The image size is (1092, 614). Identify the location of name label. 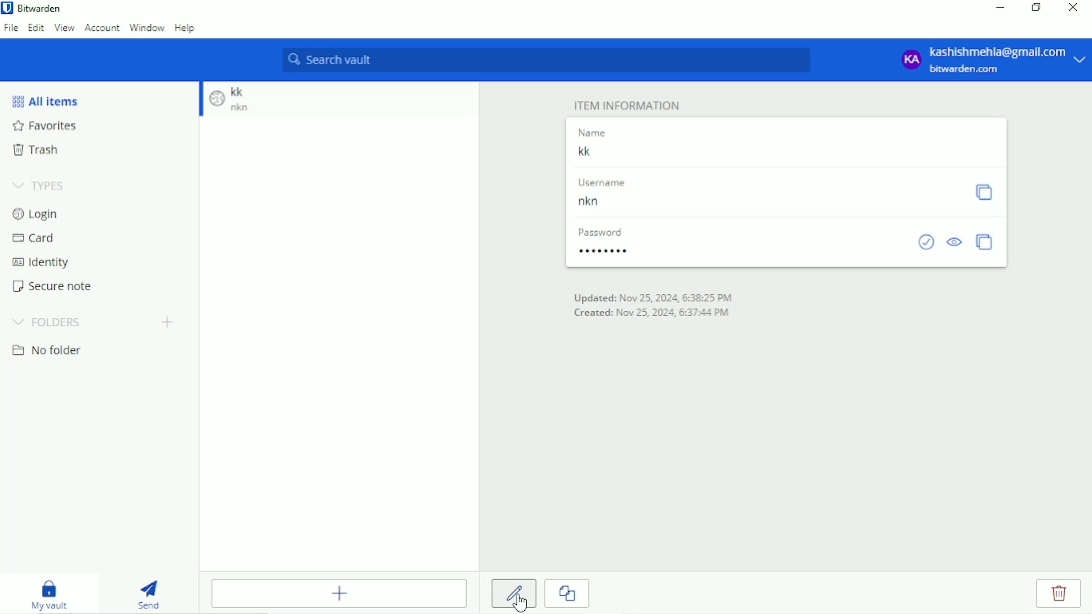
(596, 132).